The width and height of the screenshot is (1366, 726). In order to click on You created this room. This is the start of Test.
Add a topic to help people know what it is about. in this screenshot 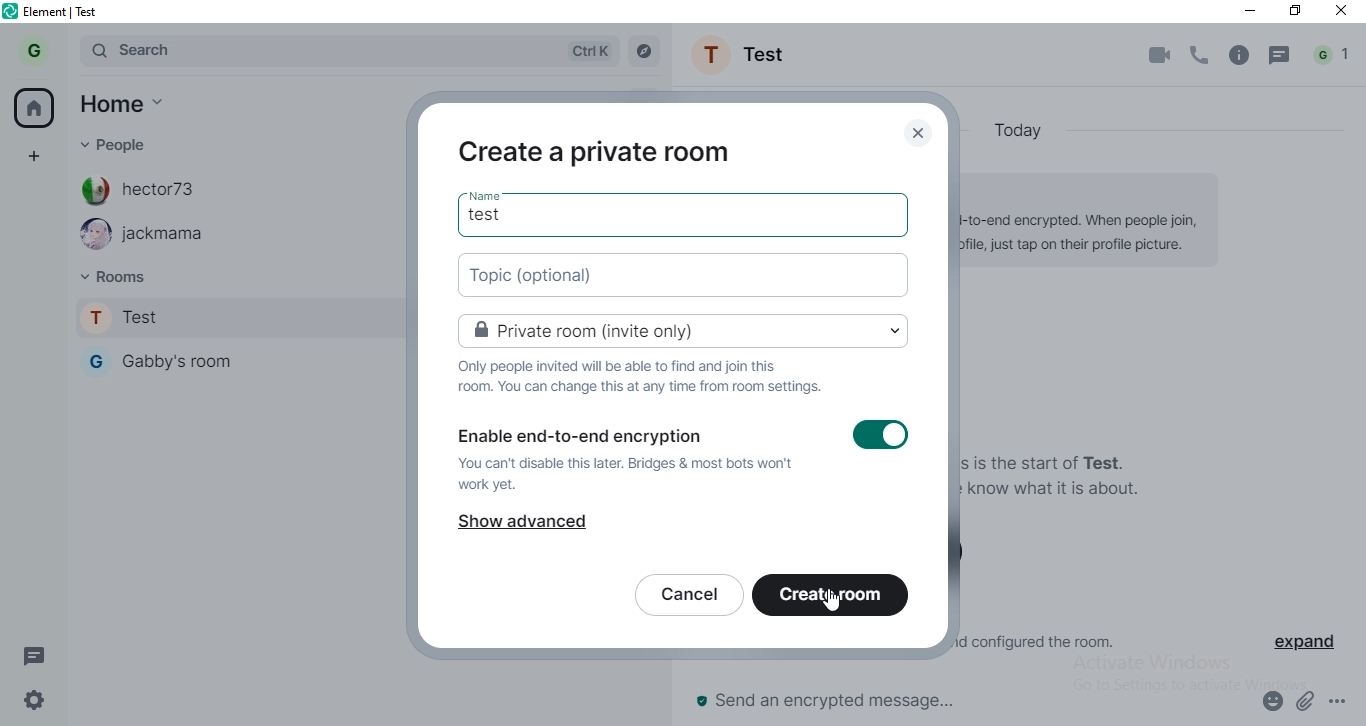, I will do `click(1059, 471)`.